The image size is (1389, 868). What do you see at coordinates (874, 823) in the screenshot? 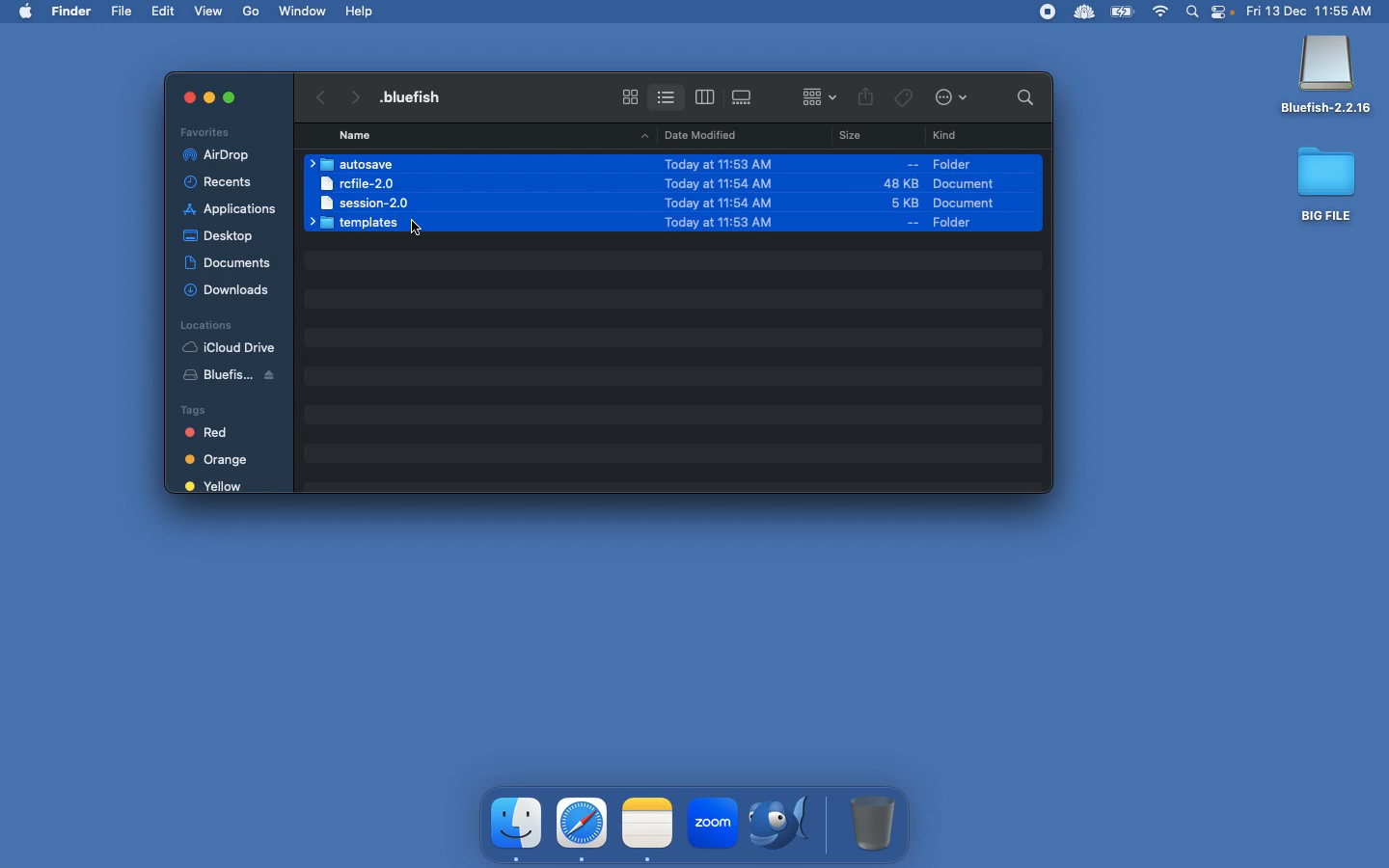
I see `Trash` at bounding box center [874, 823].